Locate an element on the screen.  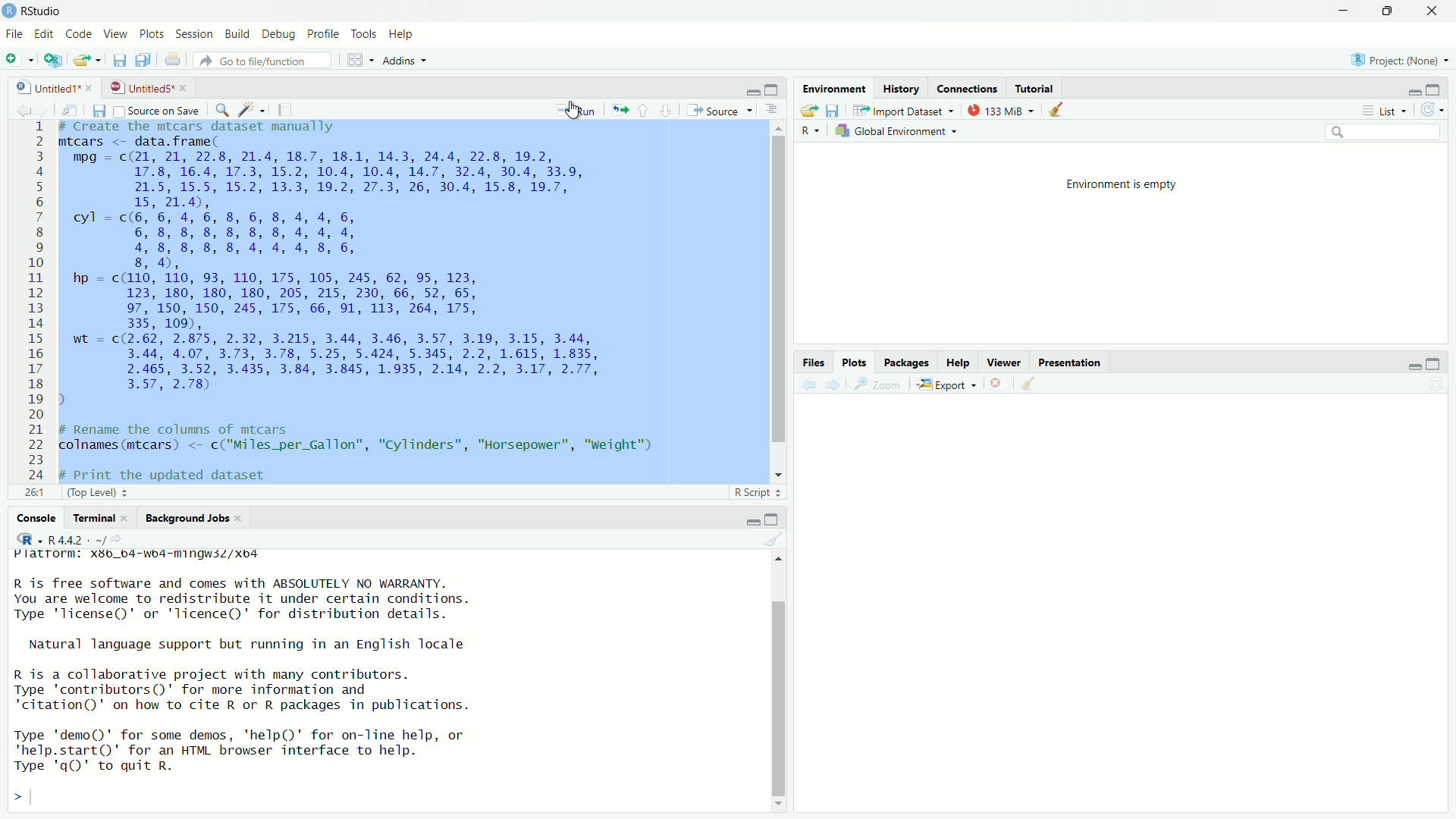
maximise is located at coordinates (1436, 361).